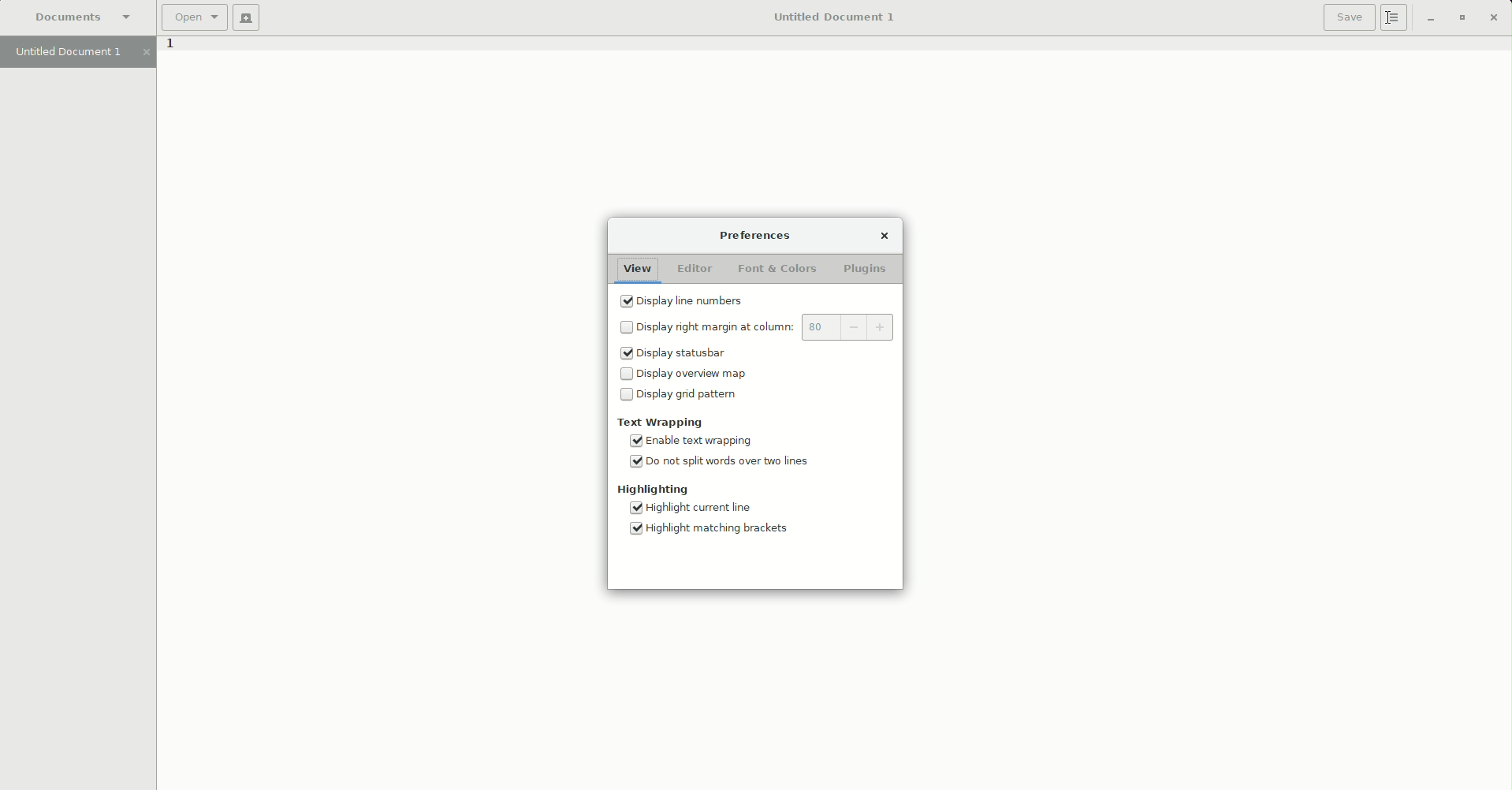 The height and width of the screenshot is (790, 1512). What do you see at coordinates (1395, 18) in the screenshot?
I see `Options` at bounding box center [1395, 18].